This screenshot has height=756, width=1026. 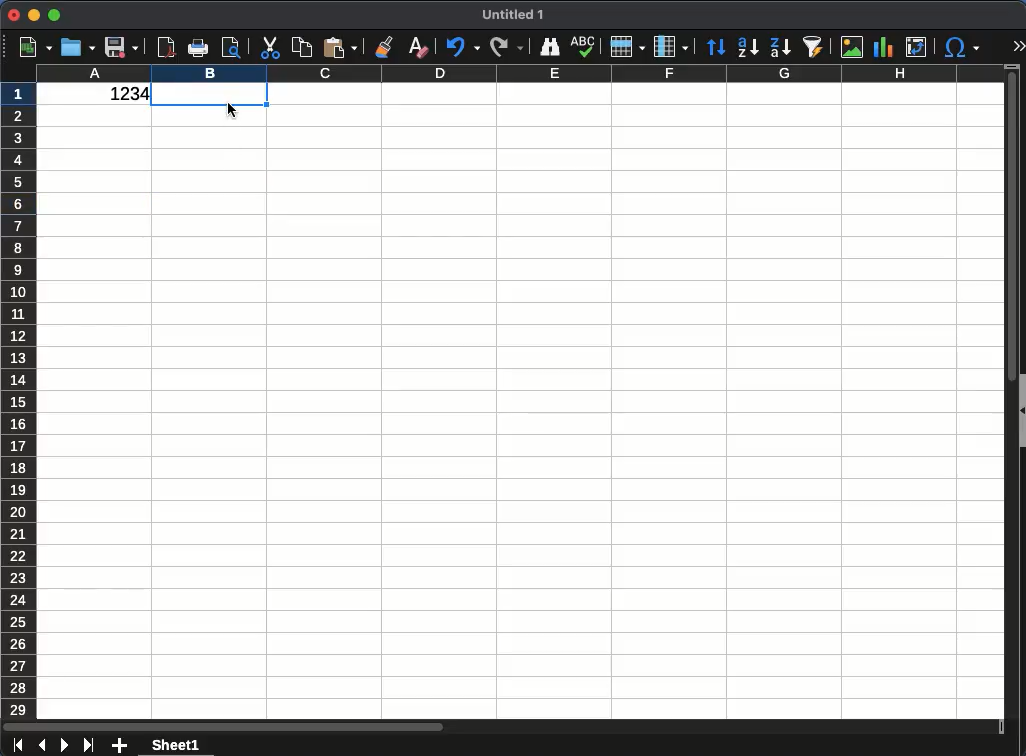 What do you see at coordinates (625, 47) in the screenshot?
I see `row` at bounding box center [625, 47].